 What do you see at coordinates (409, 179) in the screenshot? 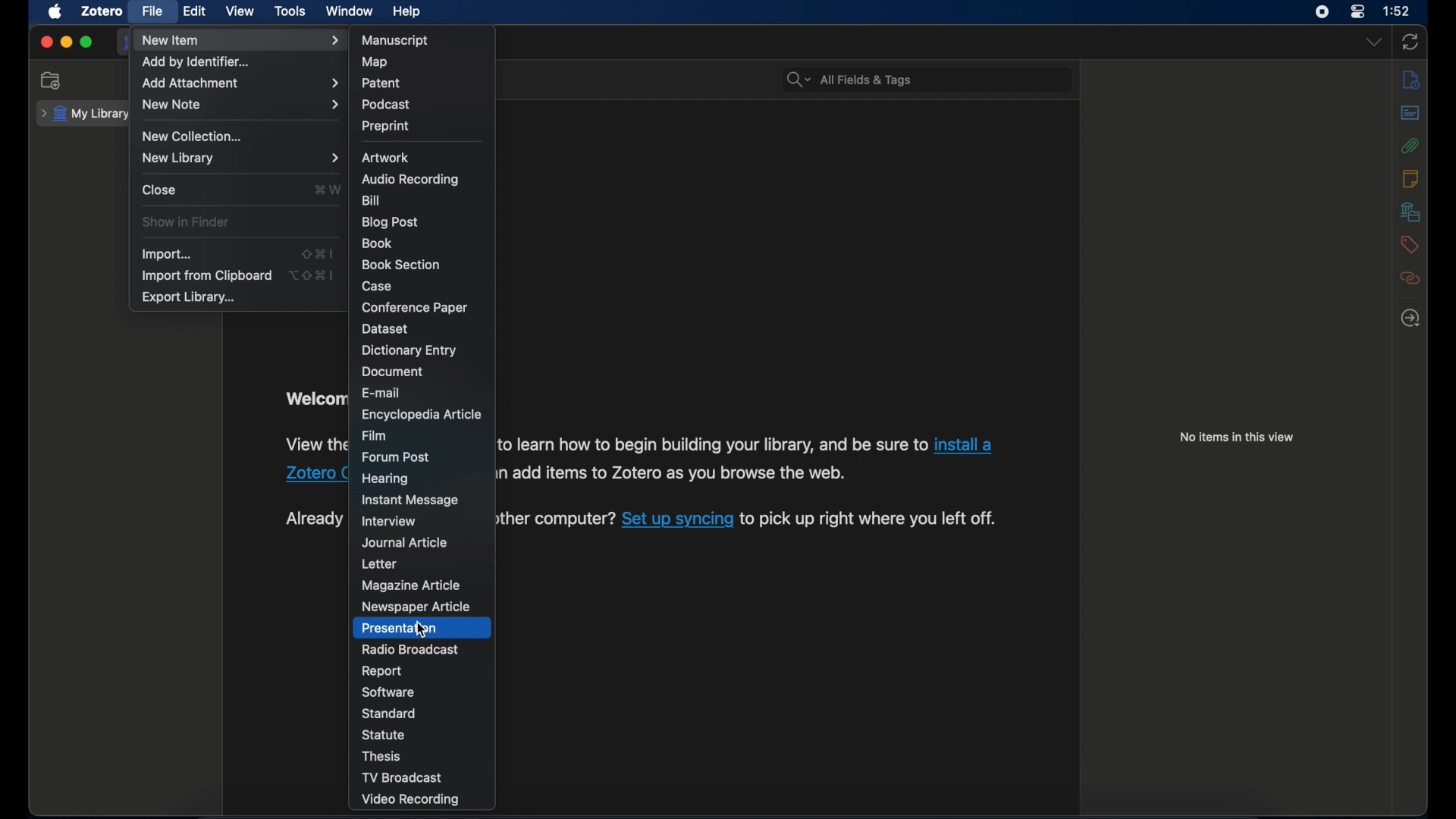
I see `audio recording` at bounding box center [409, 179].